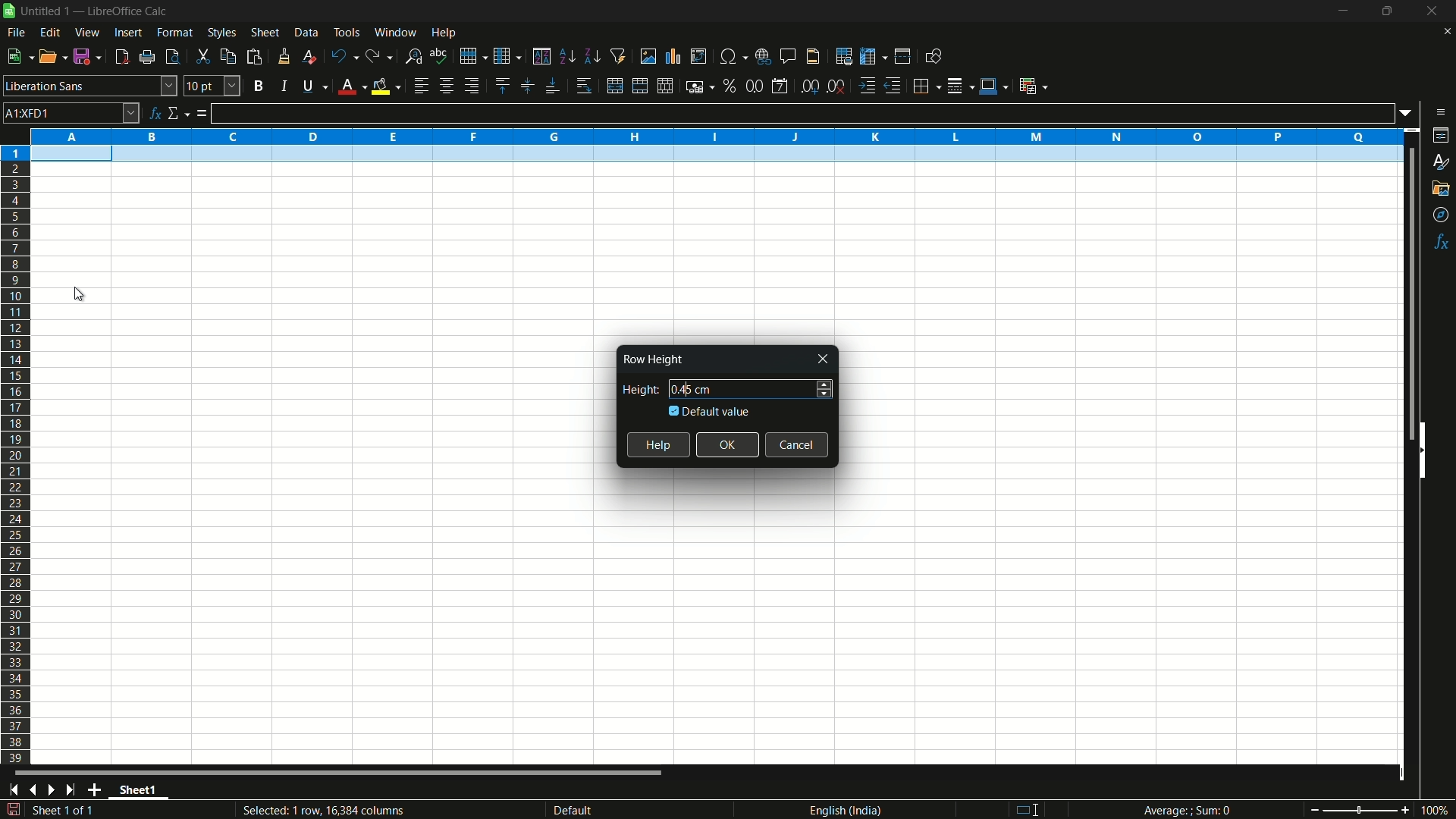  I want to click on unmerge cells, so click(666, 86).